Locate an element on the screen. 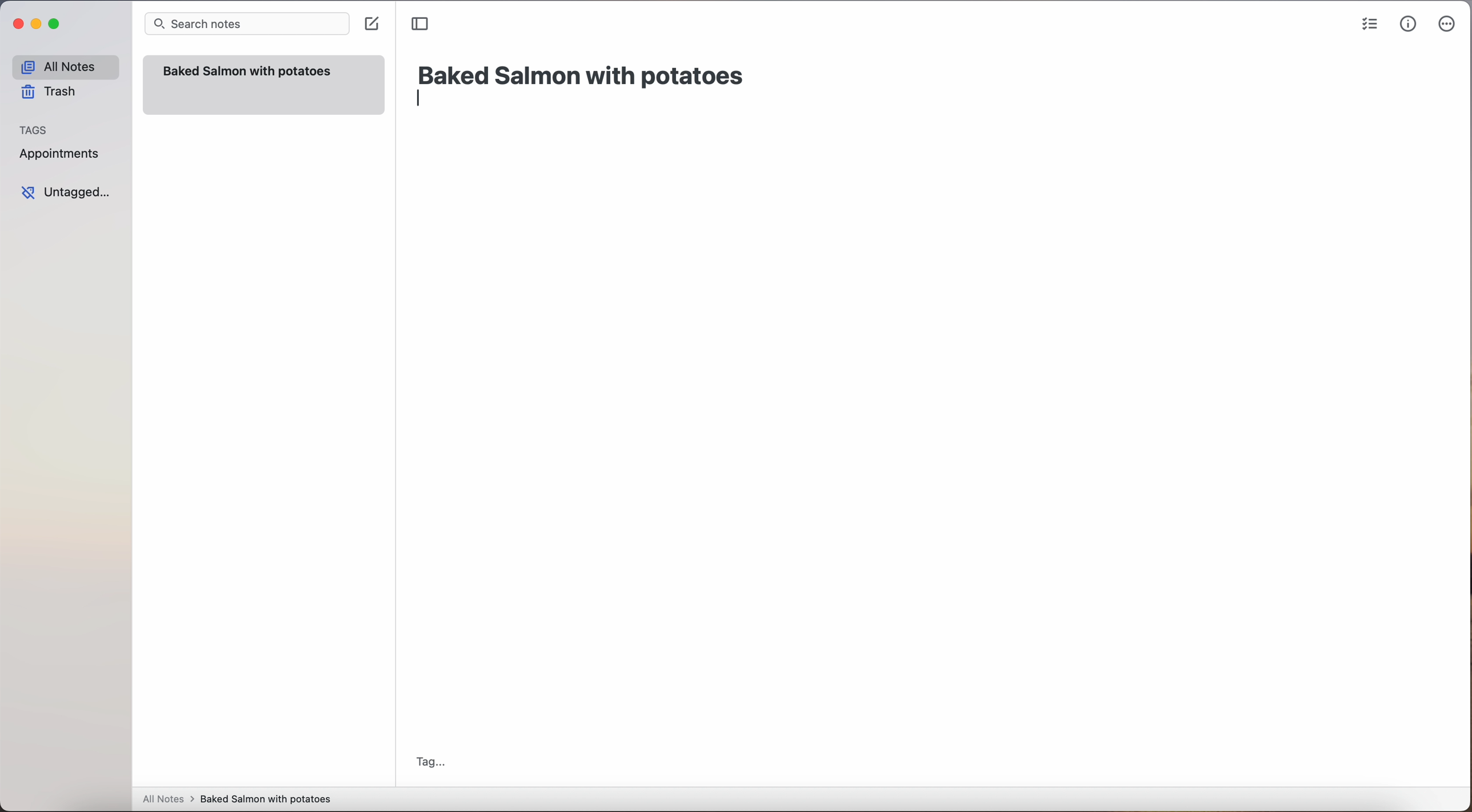  title is located at coordinates (583, 74).